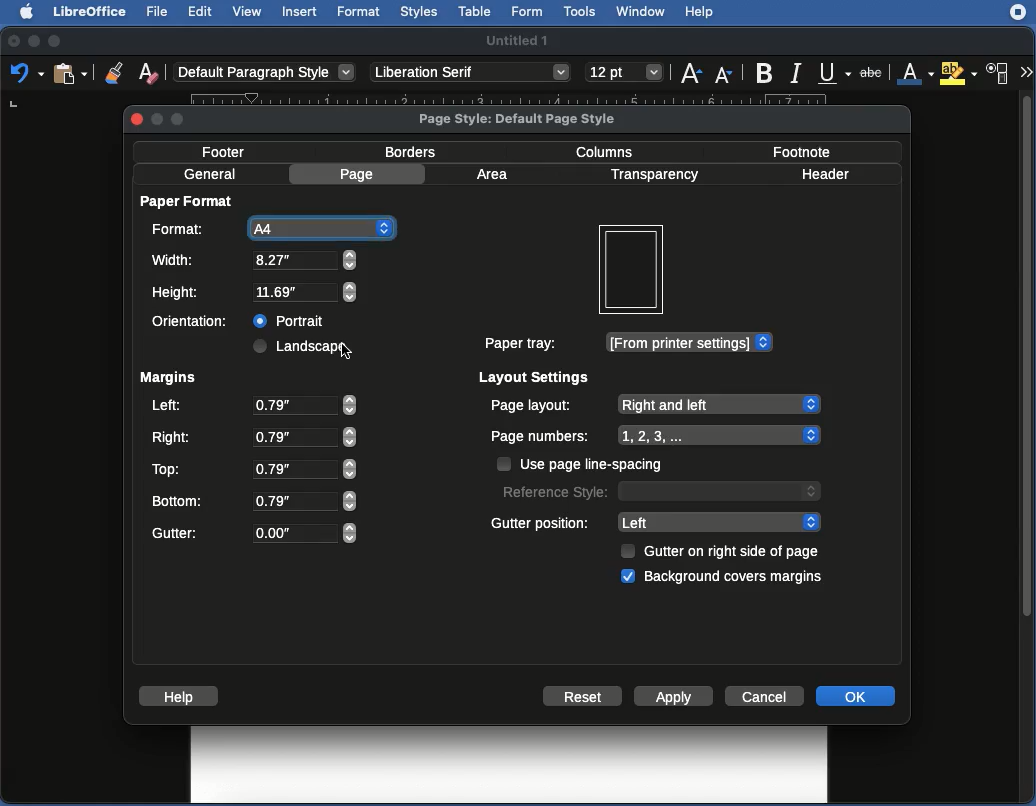 The height and width of the screenshot is (806, 1036). I want to click on 0.00", so click(304, 533).